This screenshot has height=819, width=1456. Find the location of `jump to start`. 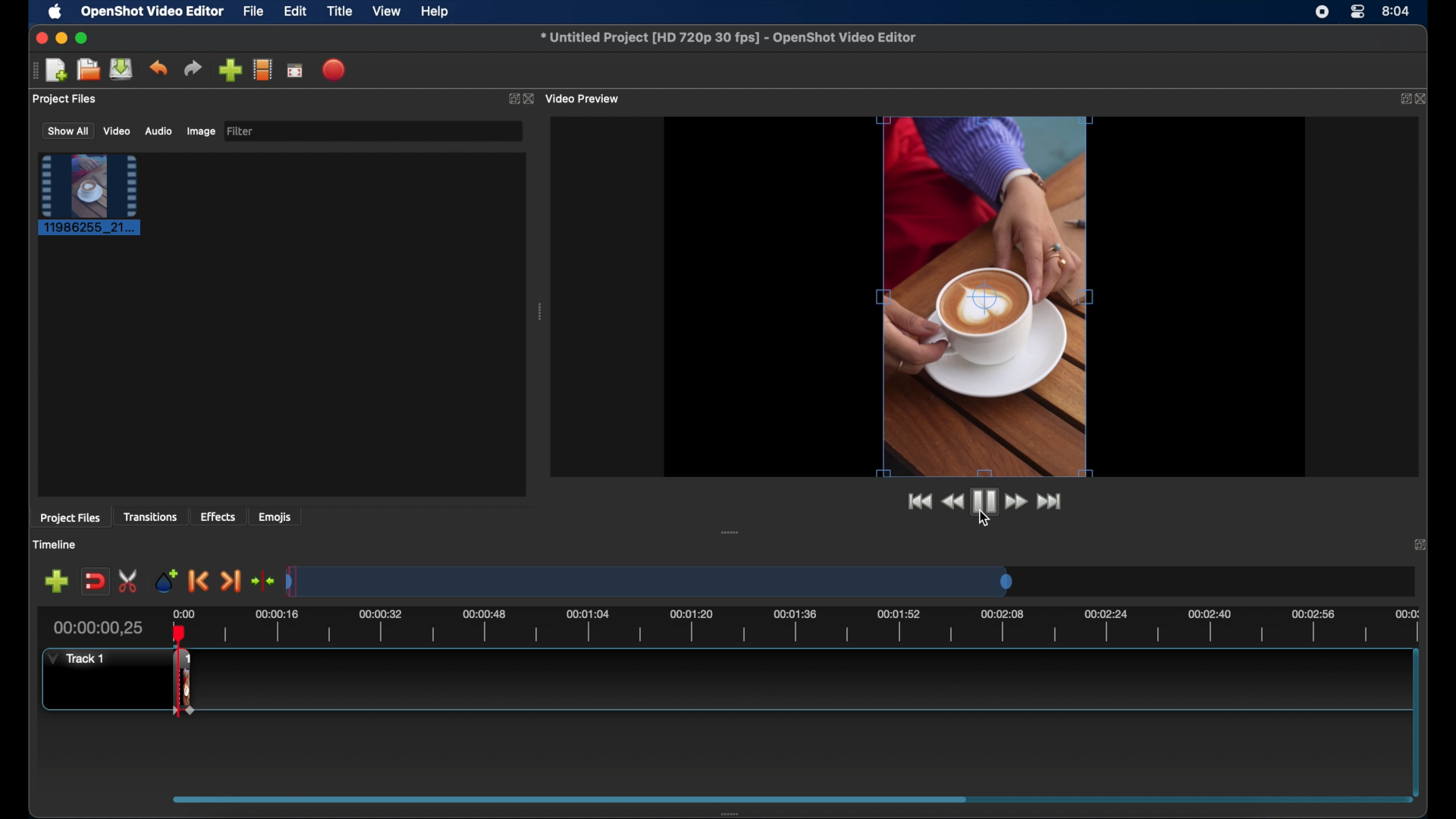

jump to start is located at coordinates (919, 501).